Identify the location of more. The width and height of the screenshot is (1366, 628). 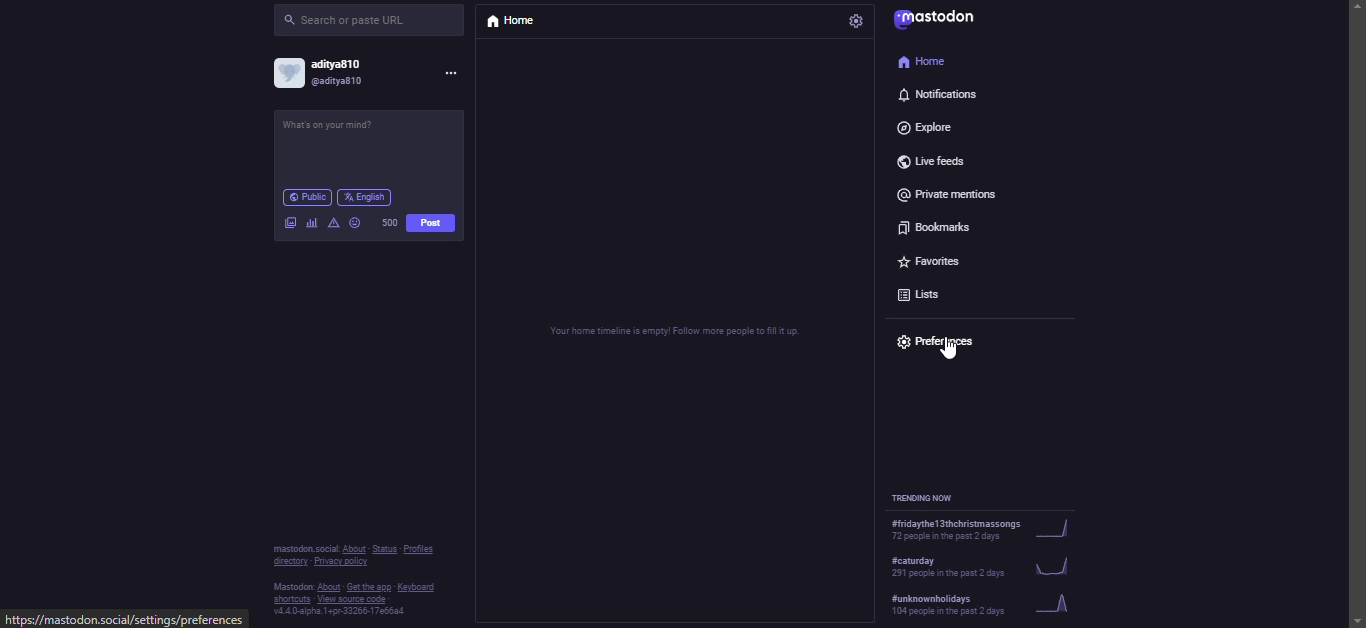
(456, 75).